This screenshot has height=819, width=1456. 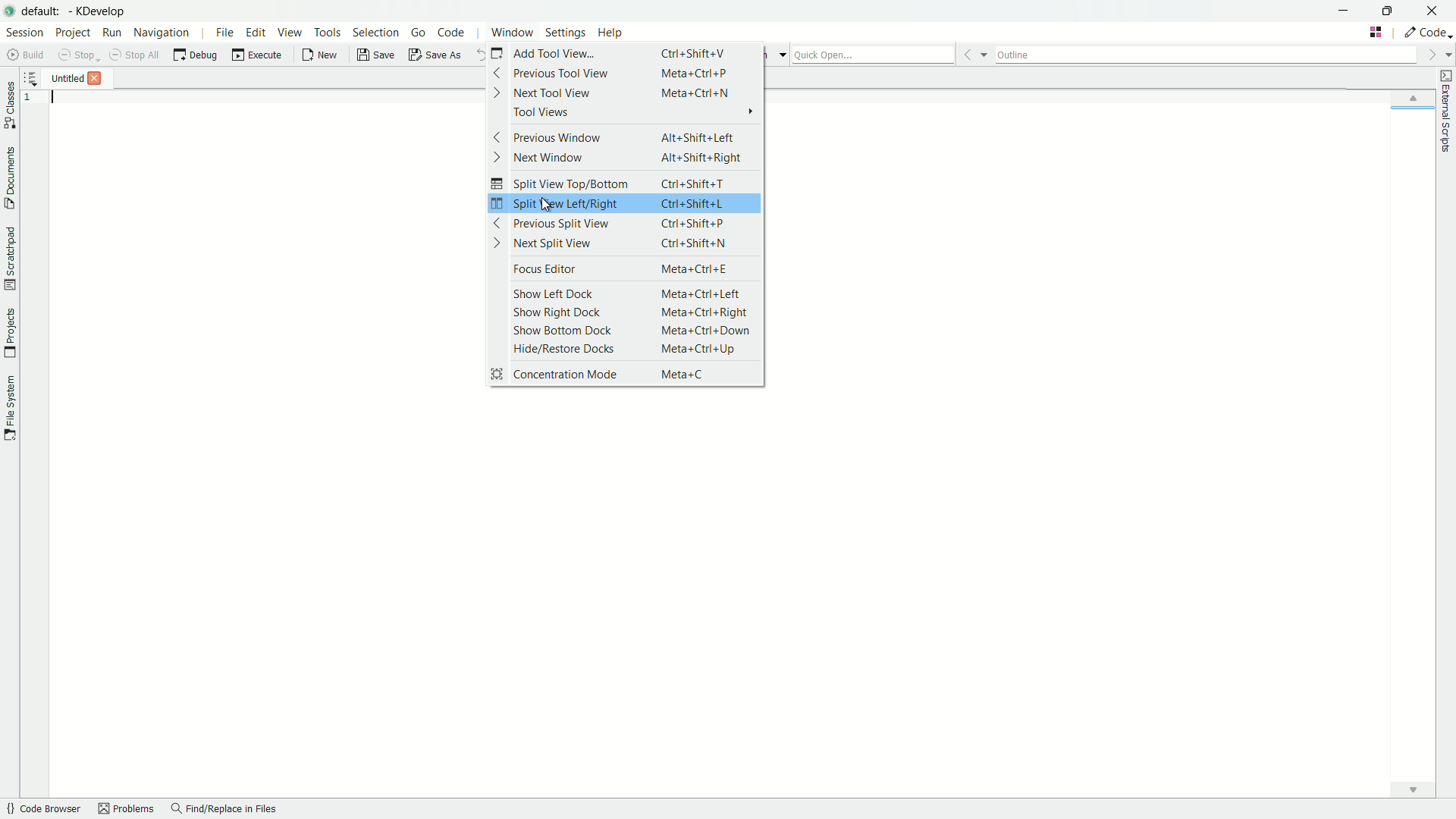 I want to click on split view top/bottom, so click(x=562, y=182).